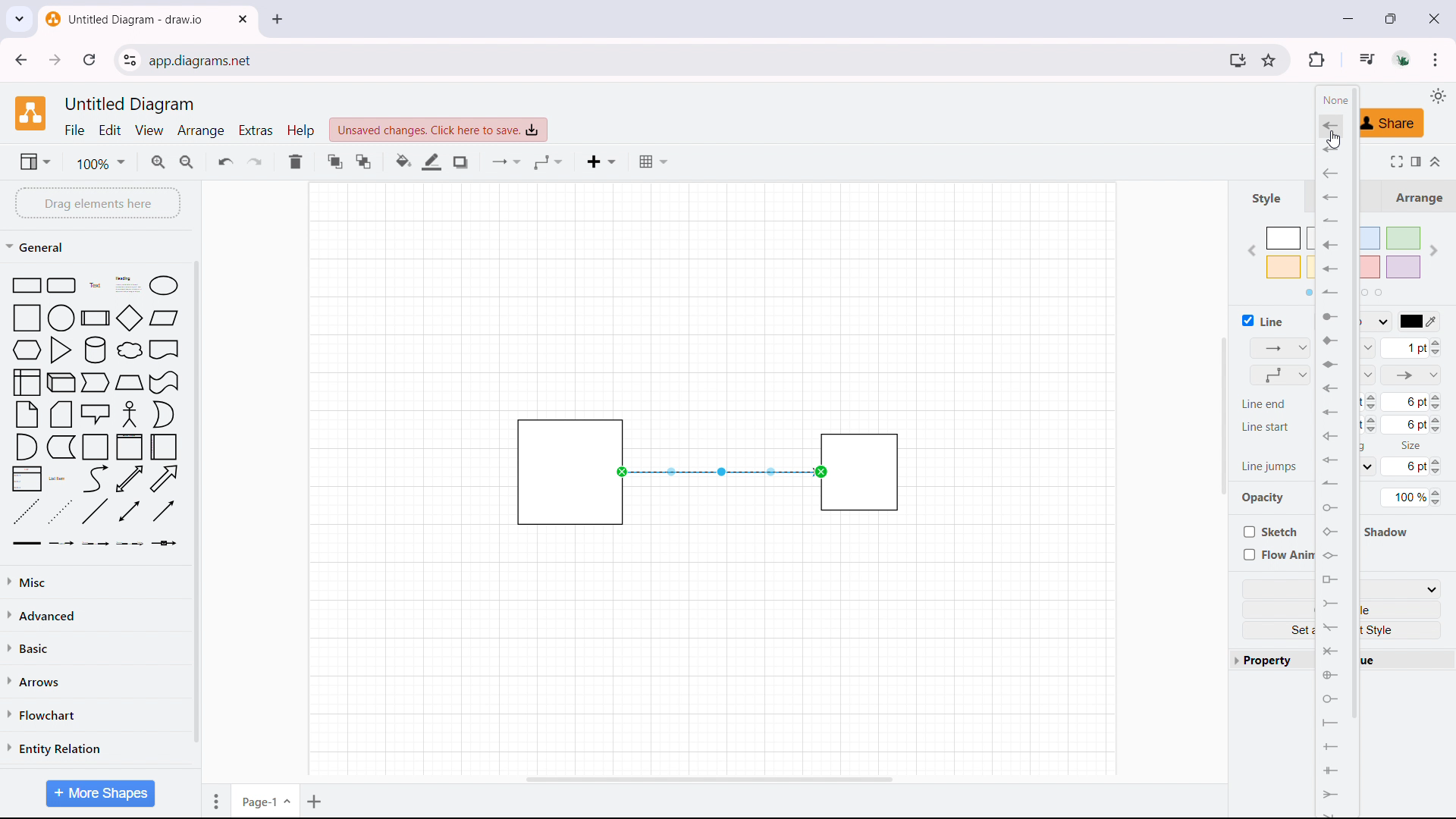  I want to click on share, so click(1385, 124).